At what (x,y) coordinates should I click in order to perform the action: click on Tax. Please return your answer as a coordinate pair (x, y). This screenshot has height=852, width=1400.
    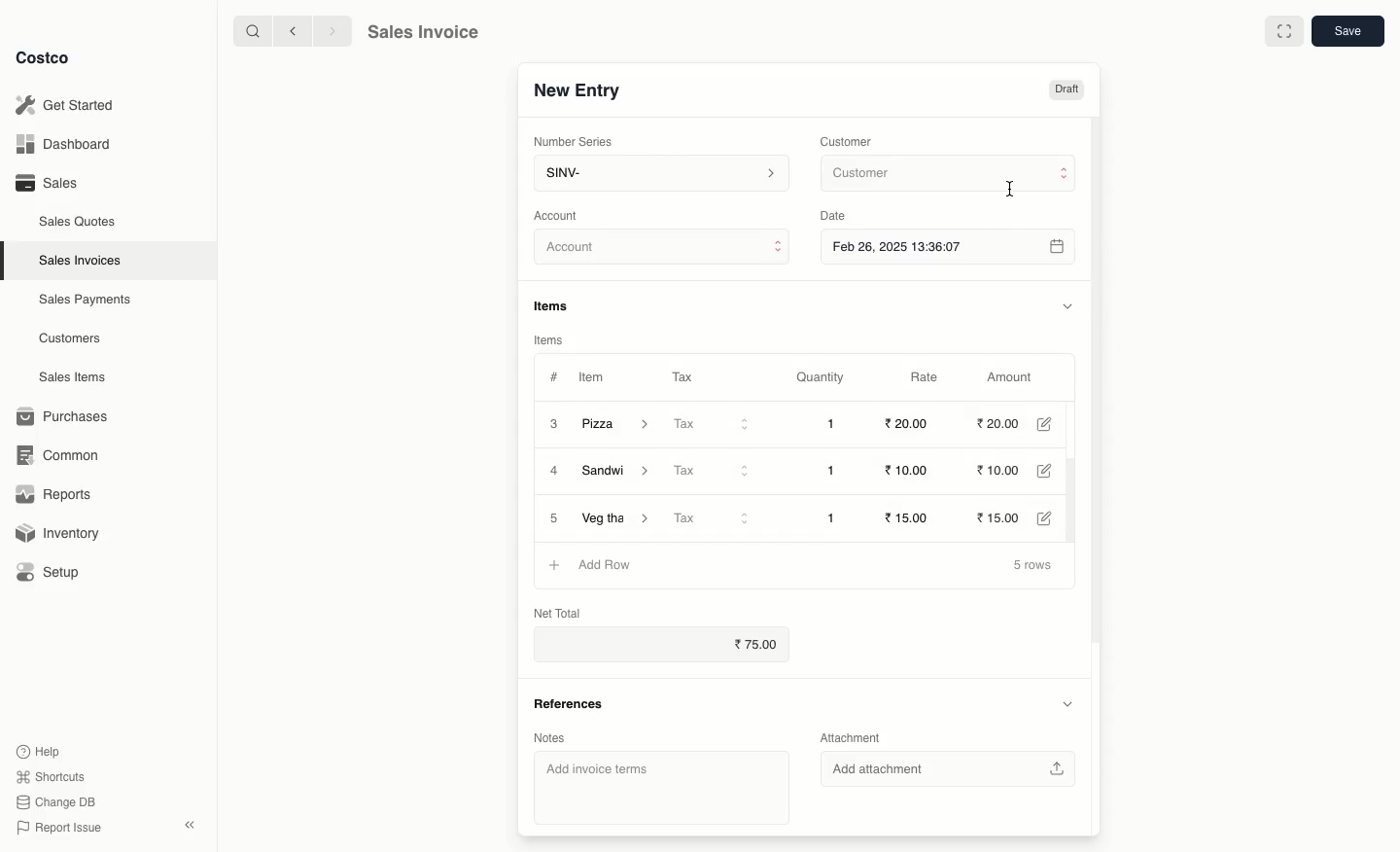
    Looking at the image, I should click on (716, 518).